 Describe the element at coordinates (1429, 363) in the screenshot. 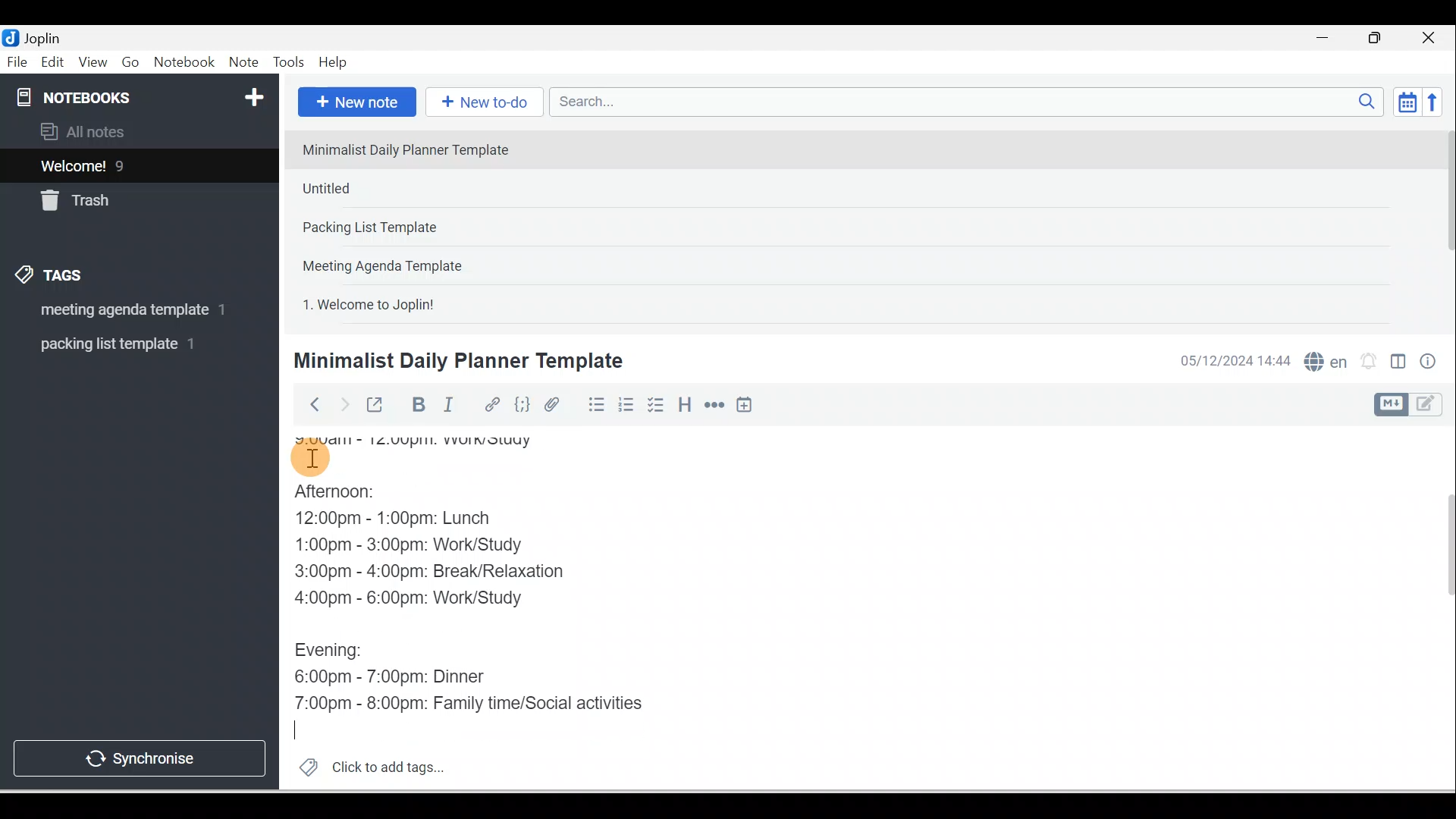

I see `Note properties` at that location.